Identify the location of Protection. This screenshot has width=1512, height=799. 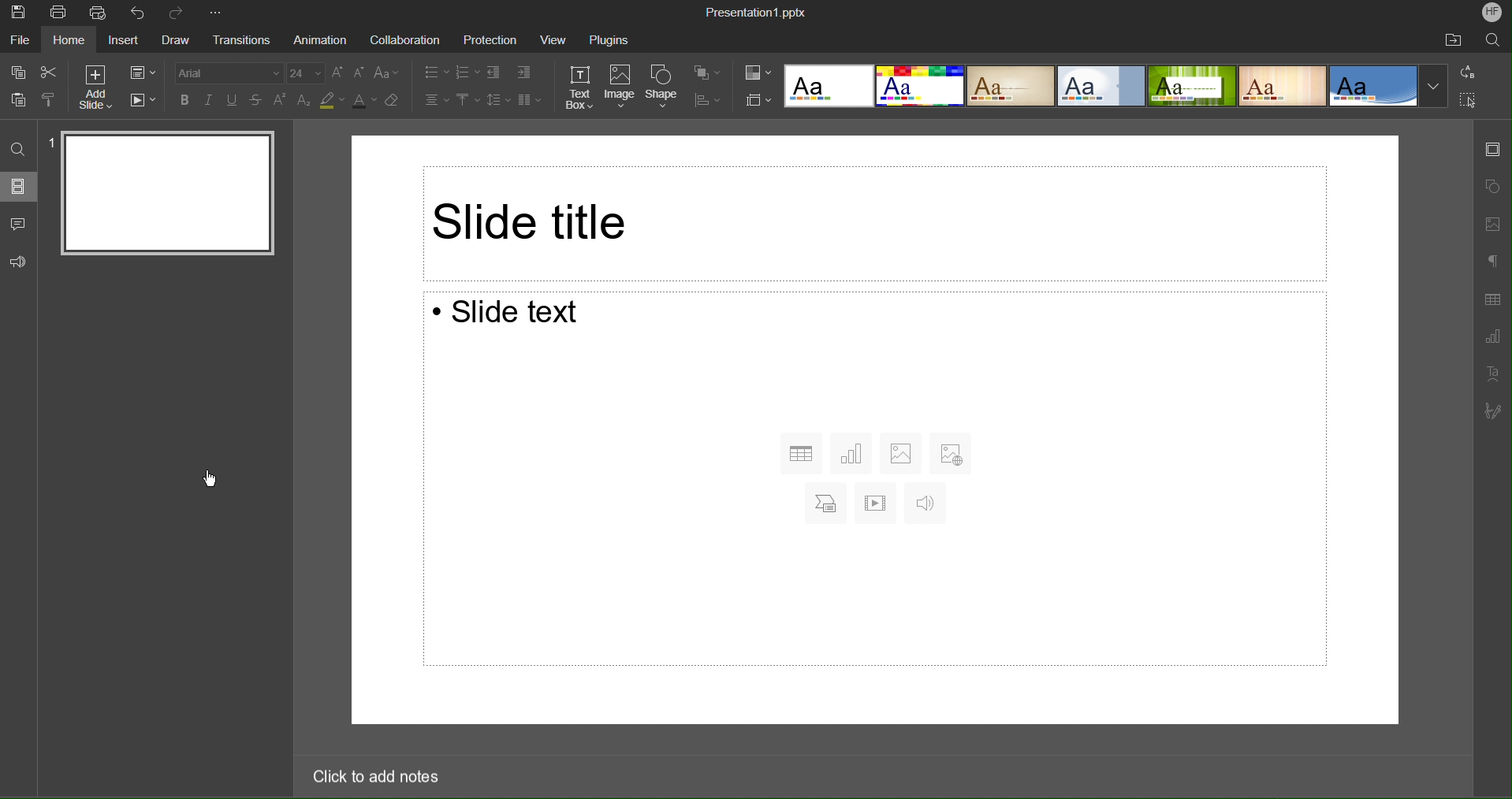
(490, 39).